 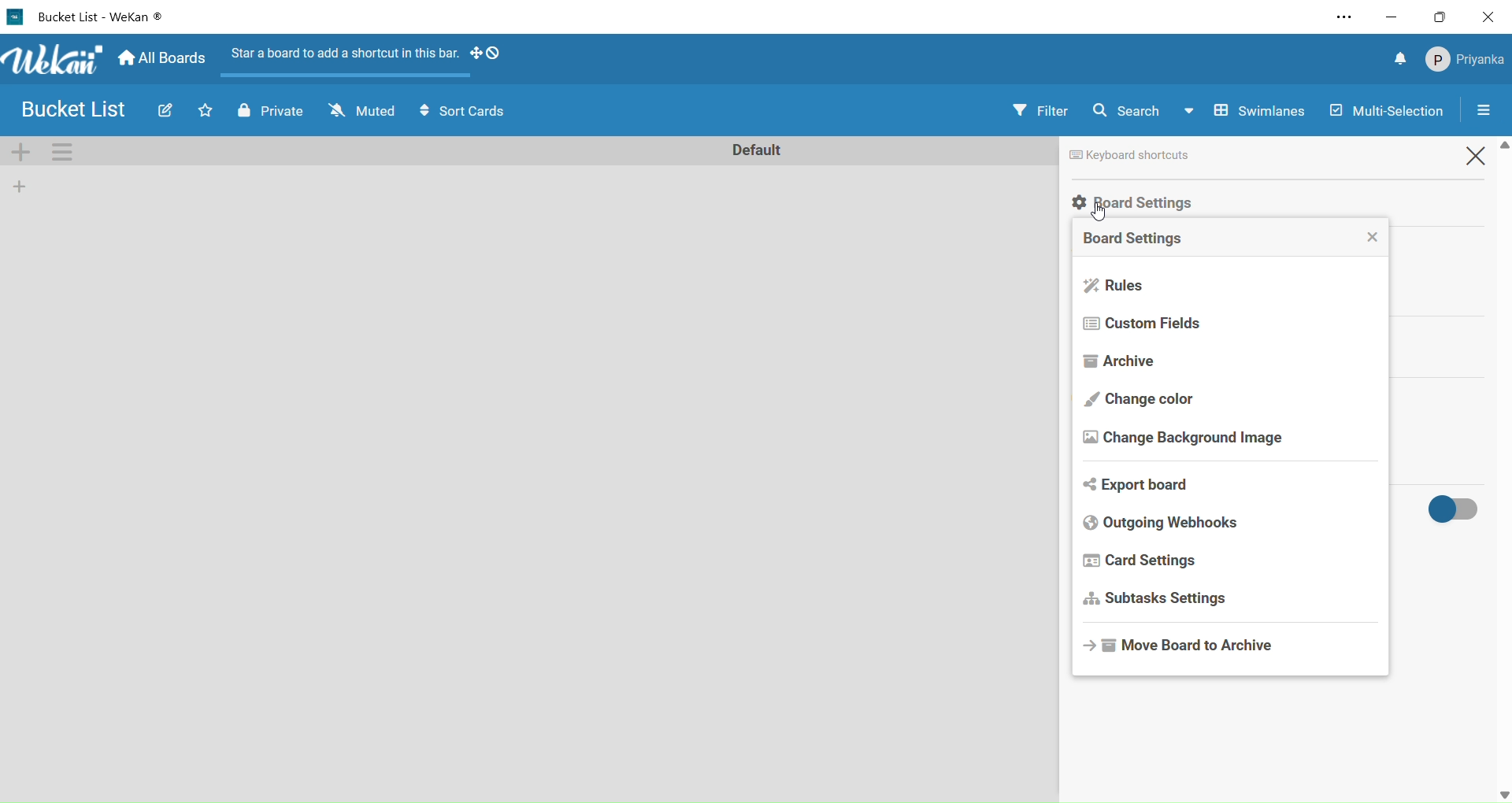 I want to click on rename, so click(x=761, y=150).